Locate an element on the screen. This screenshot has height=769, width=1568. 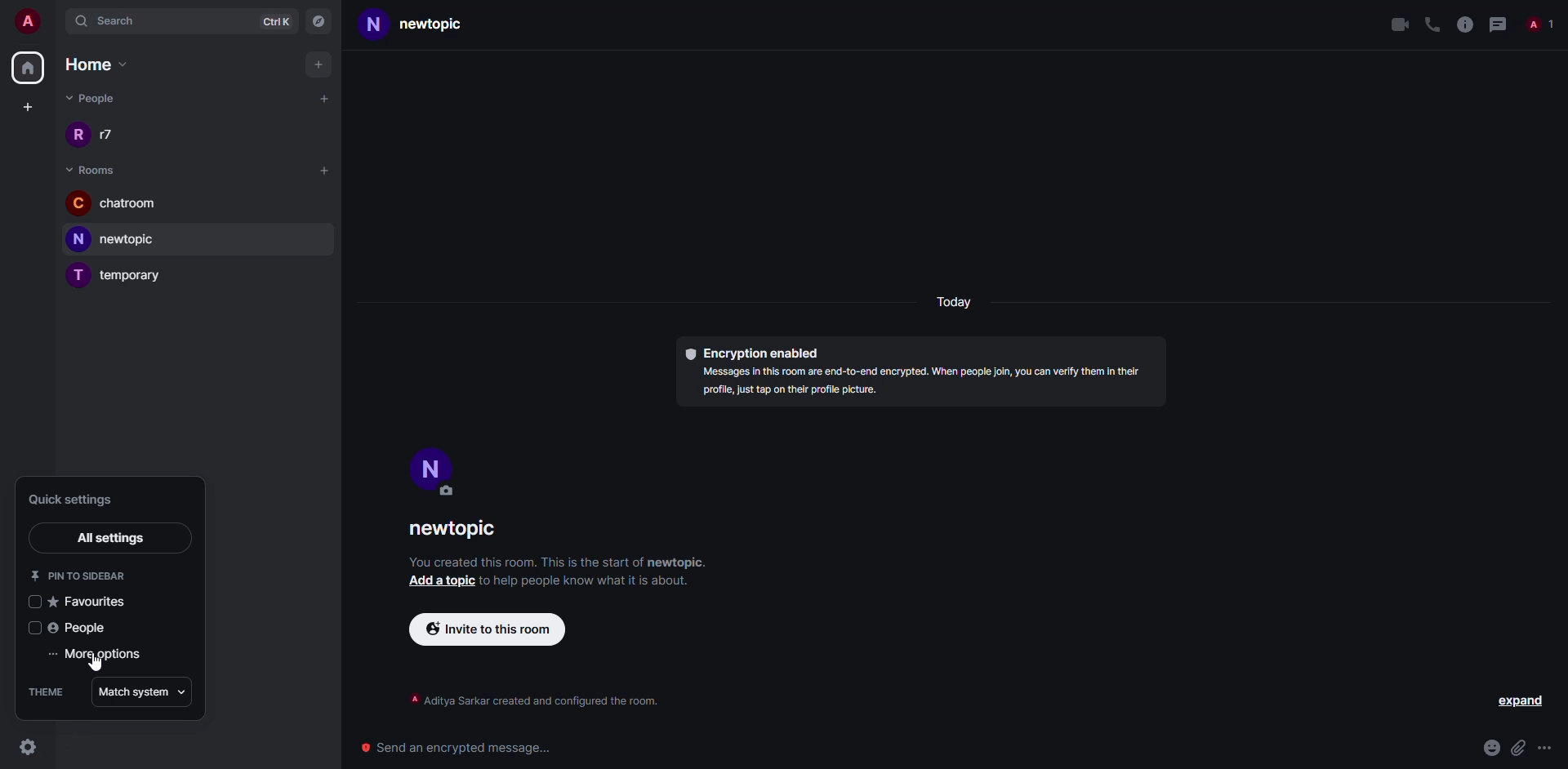
quick settings is located at coordinates (87, 746).